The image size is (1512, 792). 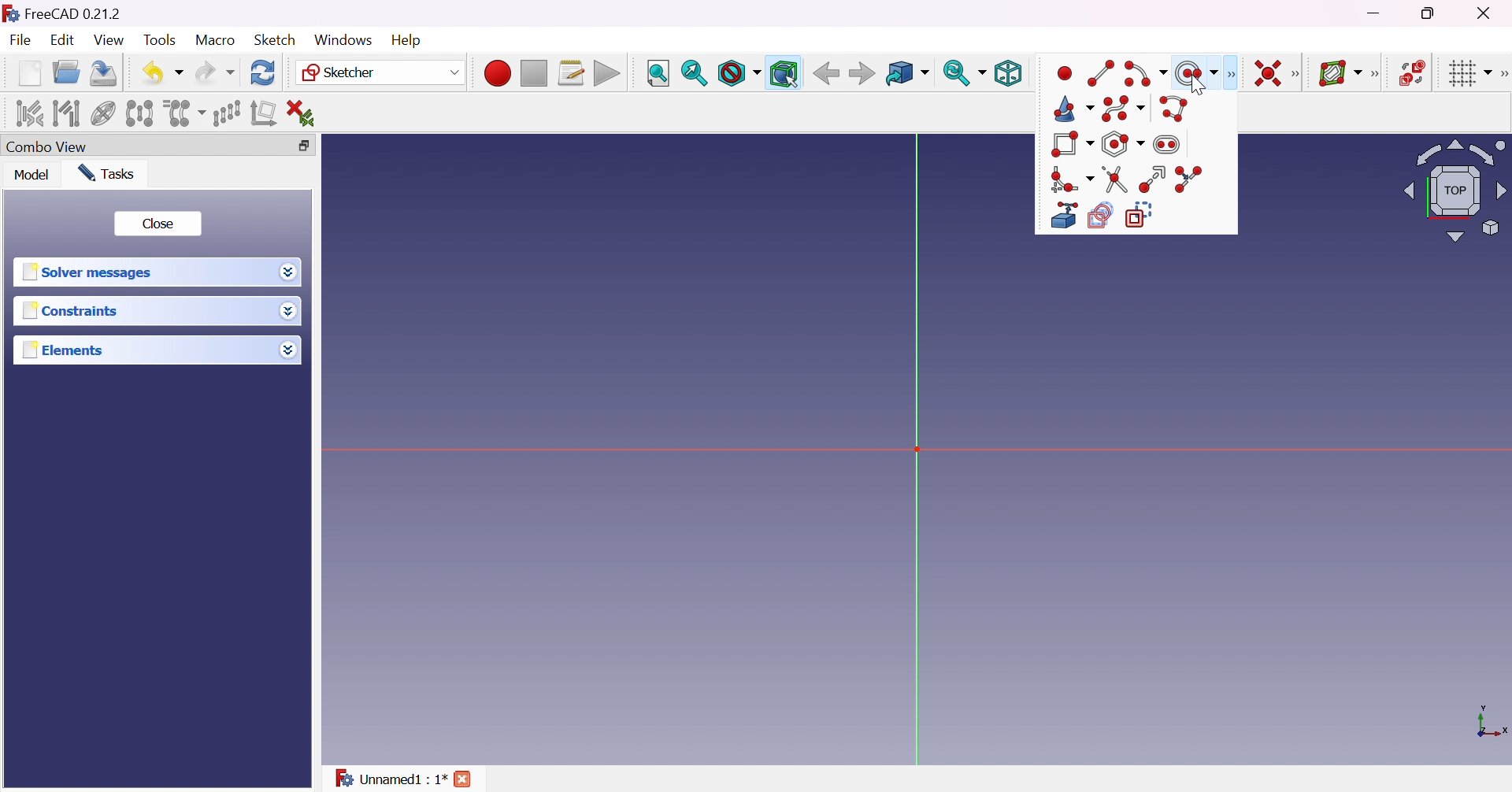 What do you see at coordinates (1073, 109) in the screenshot?
I see `Create conic` at bounding box center [1073, 109].